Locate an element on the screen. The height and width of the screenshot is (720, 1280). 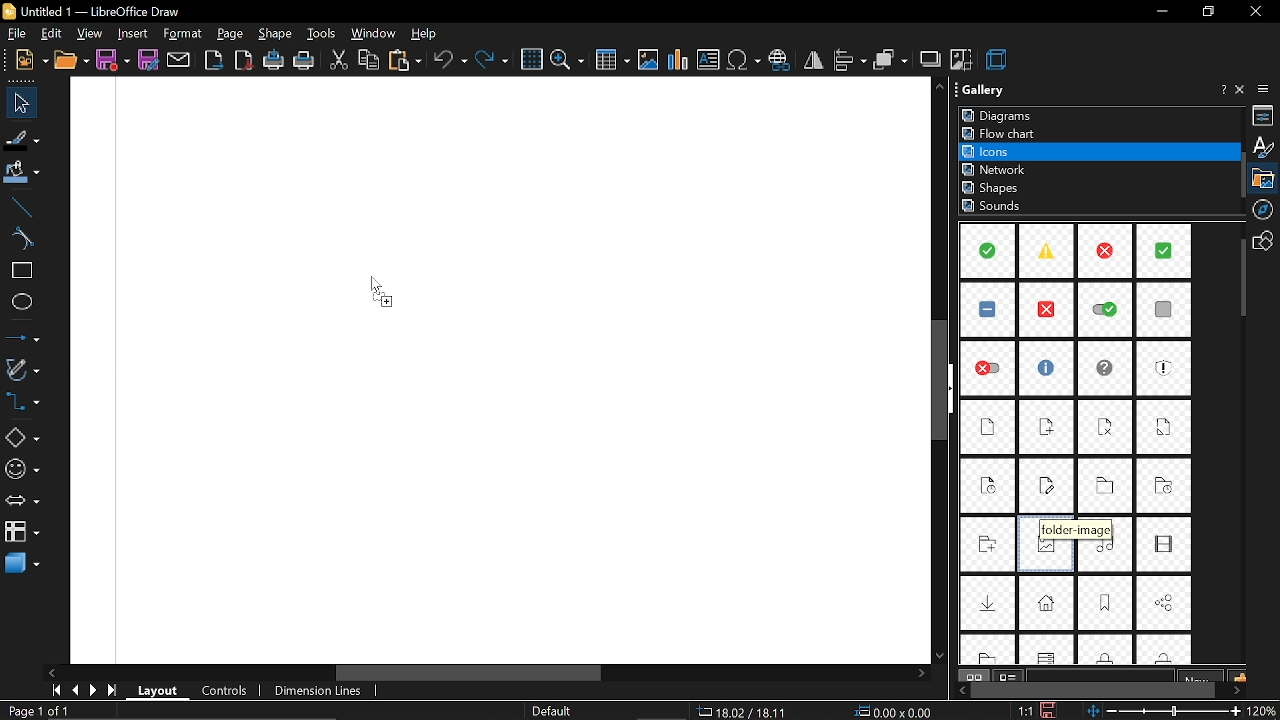
page is located at coordinates (231, 34).